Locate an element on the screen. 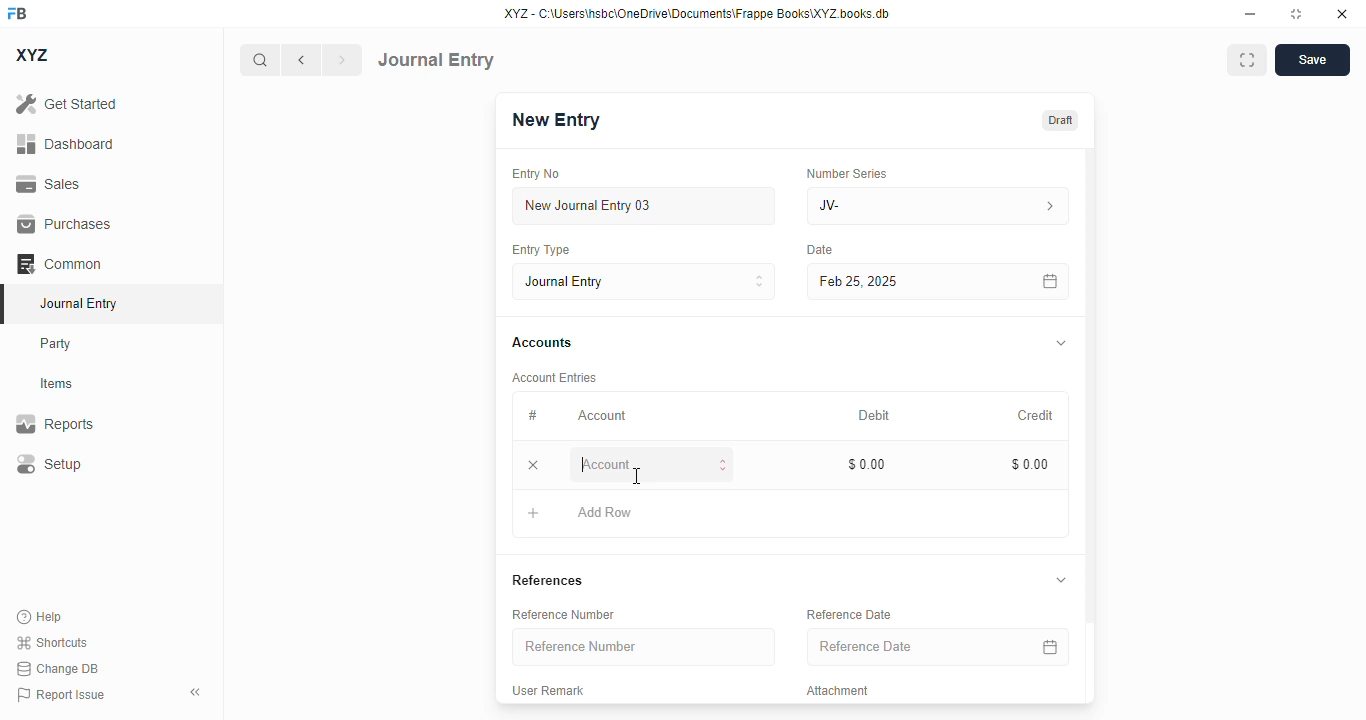  sales is located at coordinates (51, 185).